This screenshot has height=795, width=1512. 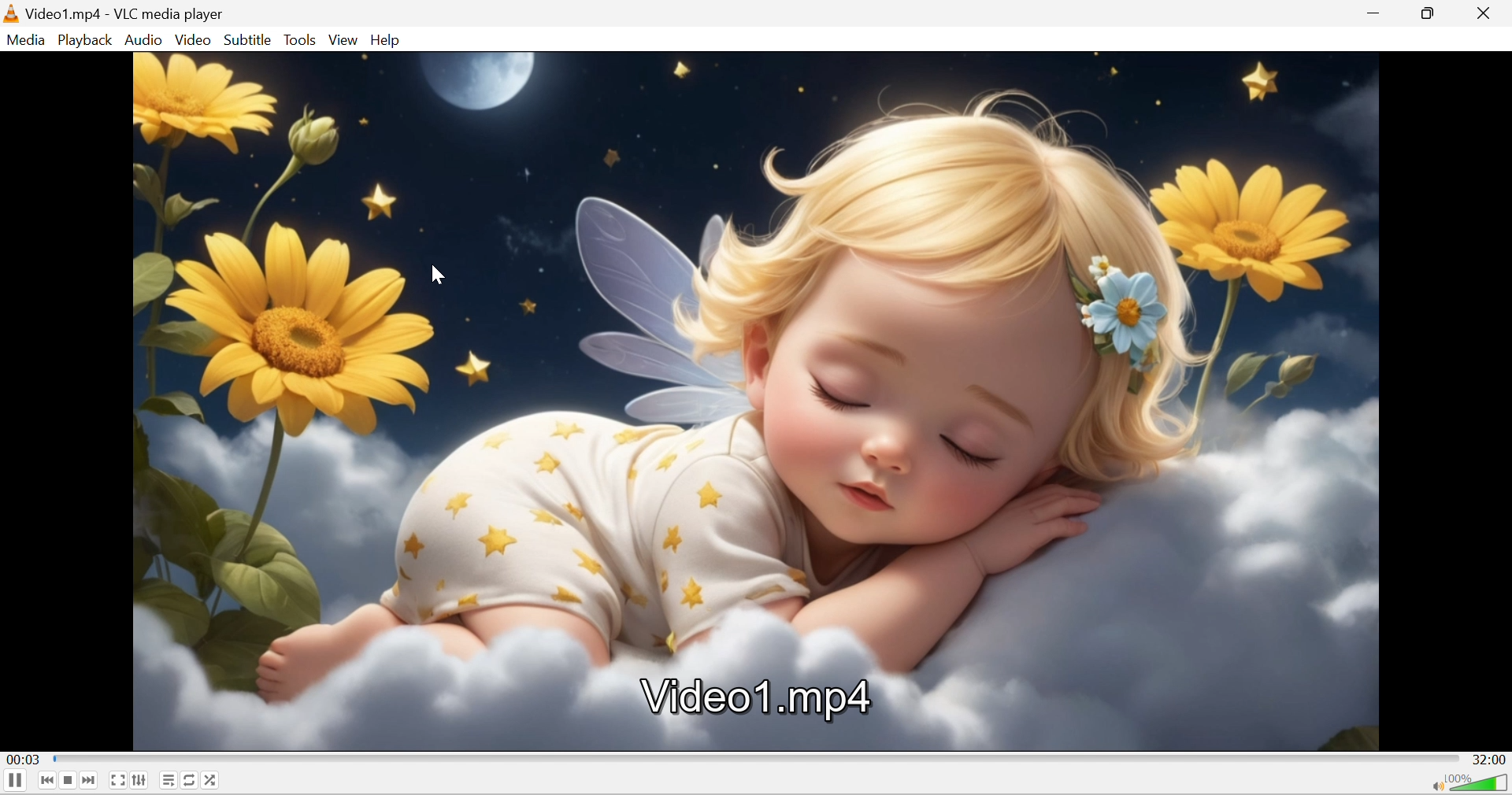 I want to click on Video1.mp4 is opened, so click(x=758, y=404).